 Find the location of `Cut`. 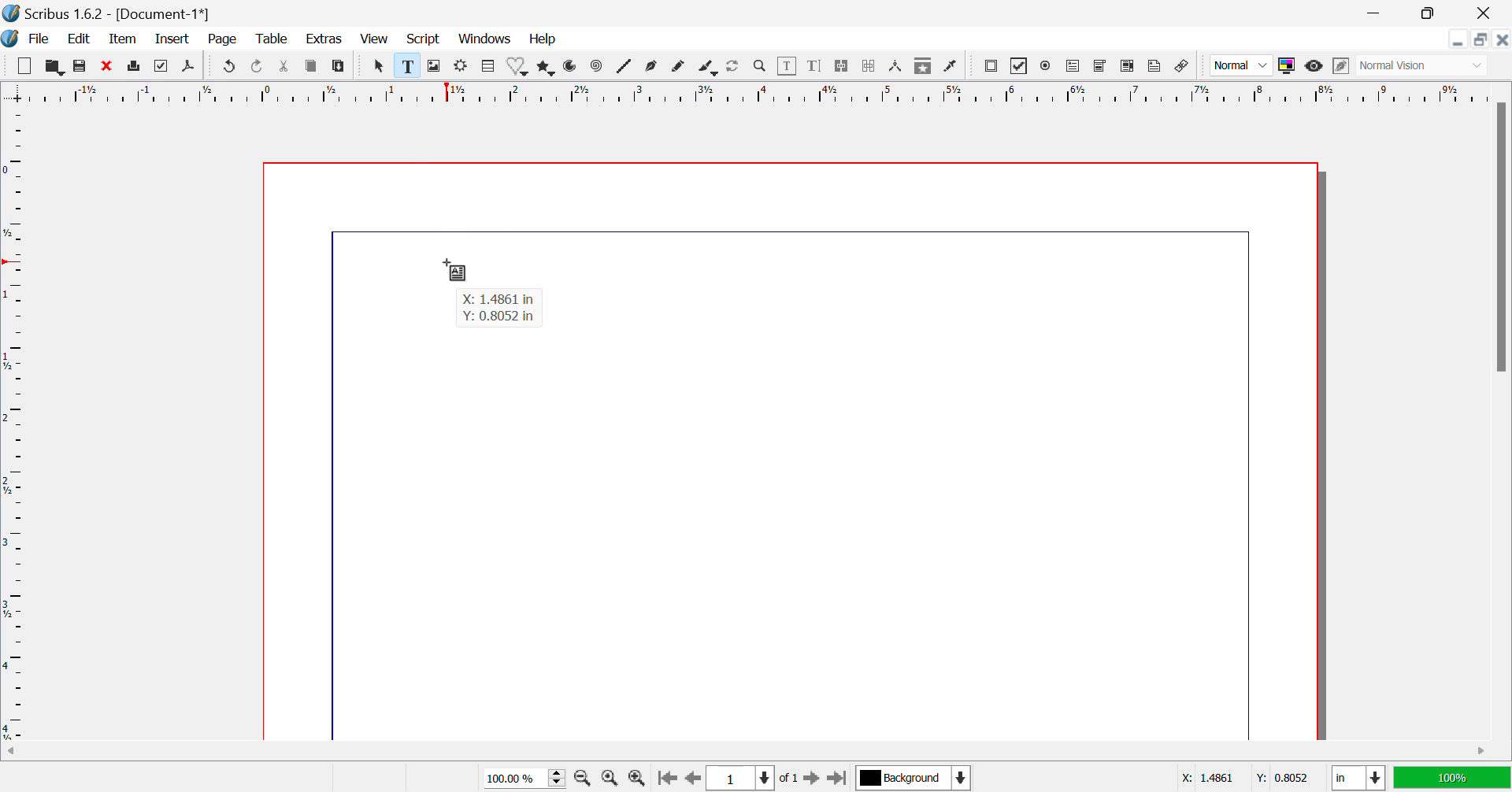

Cut is located at coordinates (284, 66).